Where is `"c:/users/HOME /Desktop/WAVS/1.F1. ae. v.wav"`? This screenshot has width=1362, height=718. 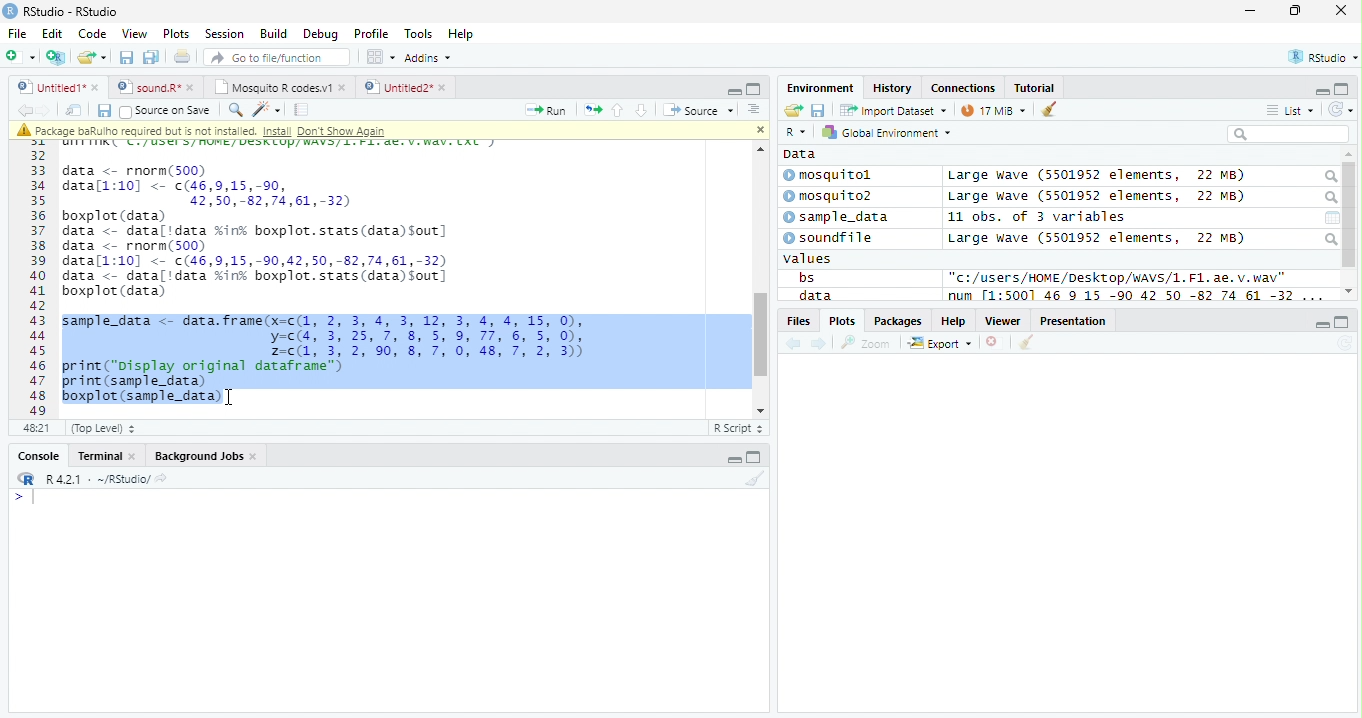
"c:/users/HOME /Desktop/WAVS/1.F1. ae. v.wav" is located at coordinates (1118, 277).